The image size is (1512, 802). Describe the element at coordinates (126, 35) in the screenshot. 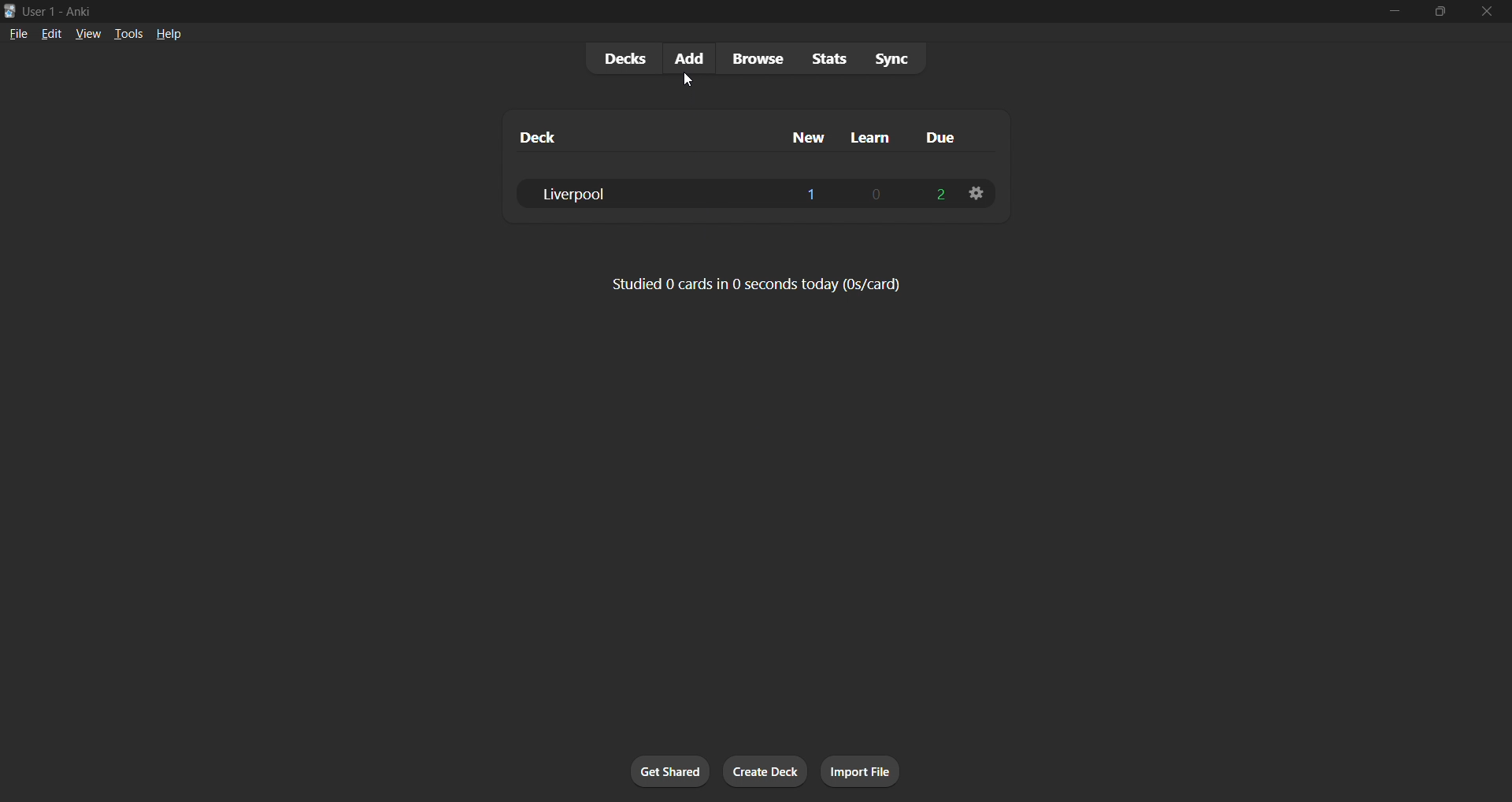

I see `tools` at that location.